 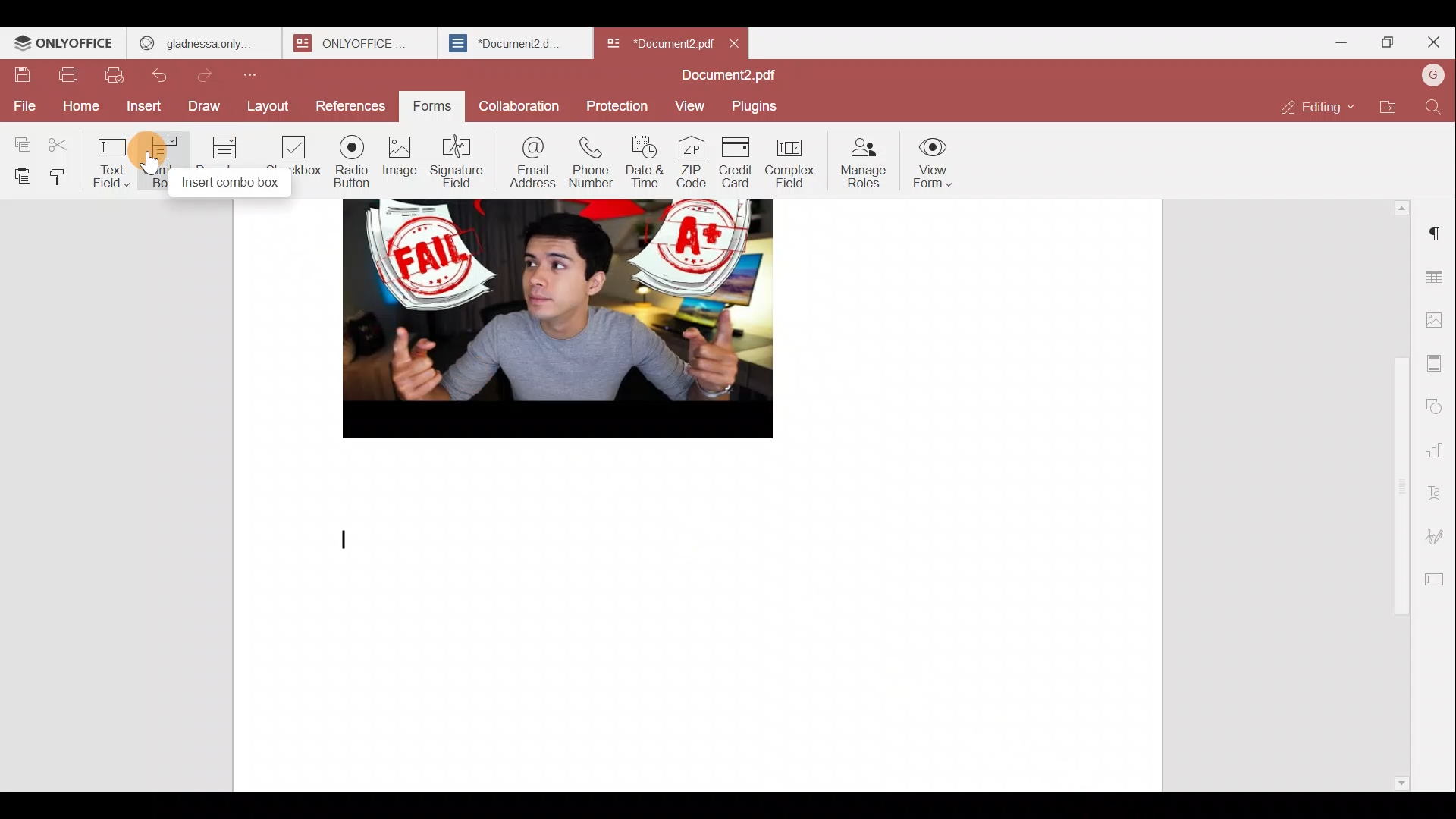 I want to click on Close, so click(x=736, y=41).